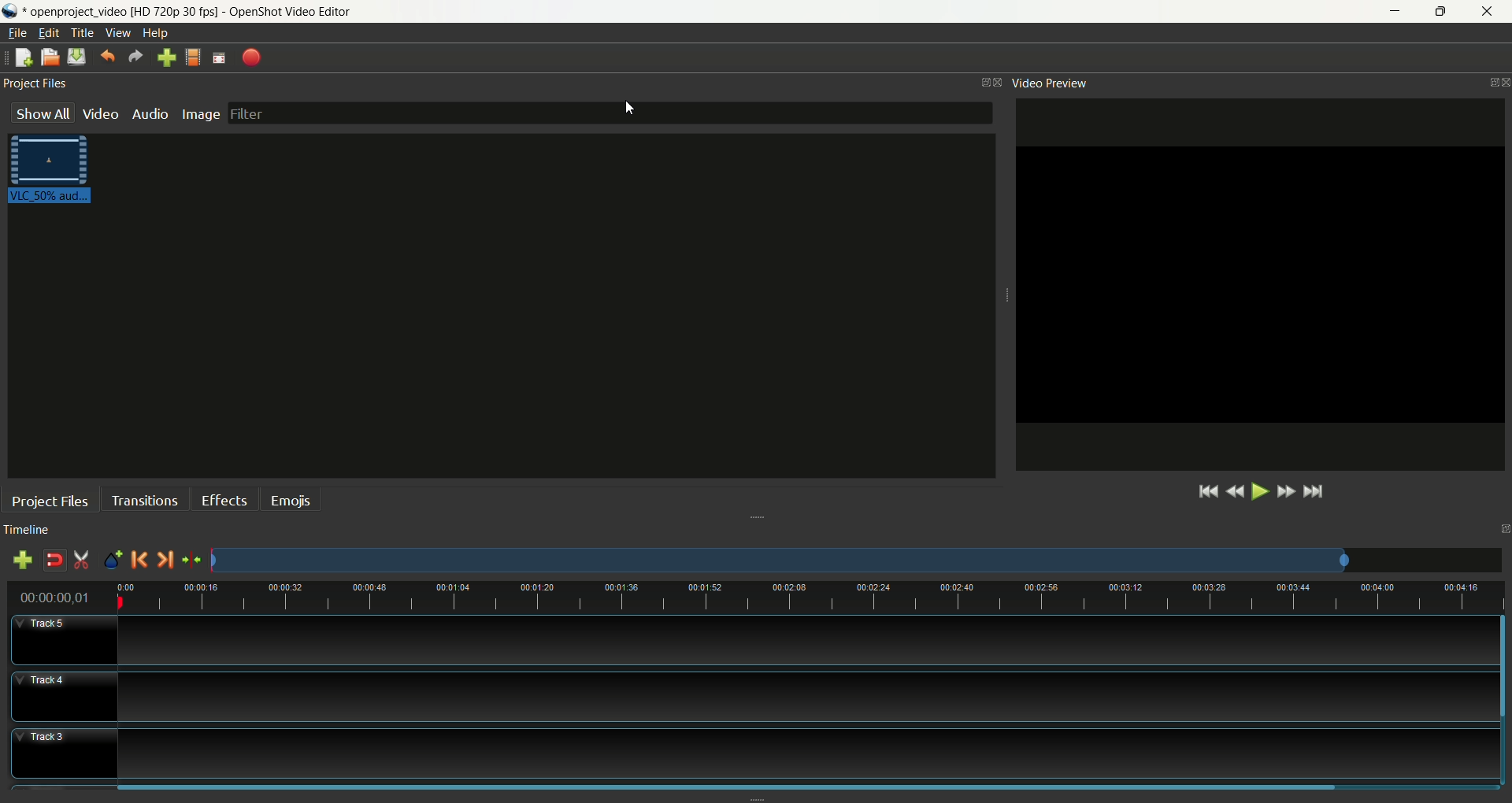 The width and height of the screenshot is (1512, 803). I want to click on center the timeline on the playhead, so click(191, 561).